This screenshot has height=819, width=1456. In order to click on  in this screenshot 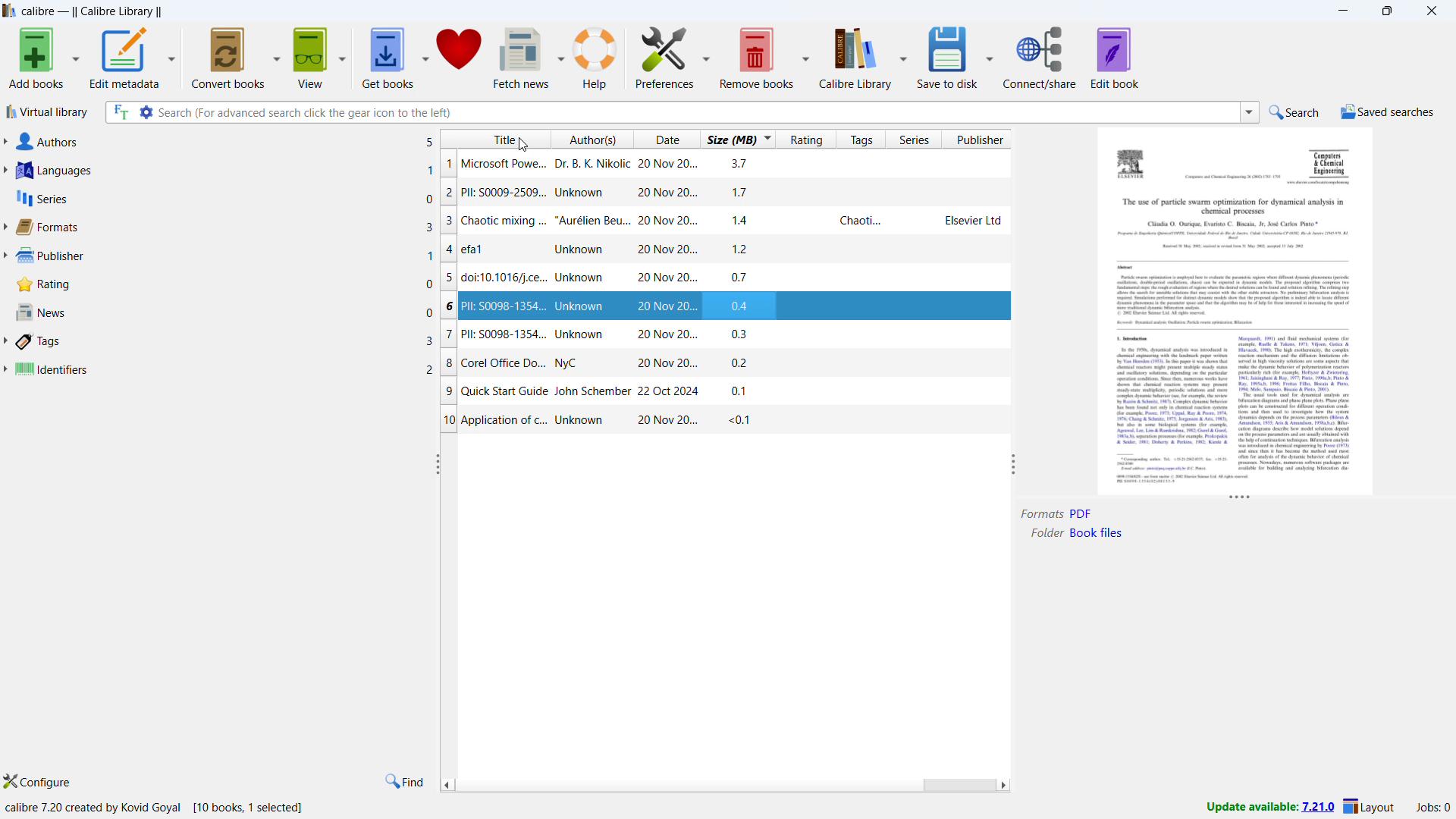, I will do `click(1232, 241)`.